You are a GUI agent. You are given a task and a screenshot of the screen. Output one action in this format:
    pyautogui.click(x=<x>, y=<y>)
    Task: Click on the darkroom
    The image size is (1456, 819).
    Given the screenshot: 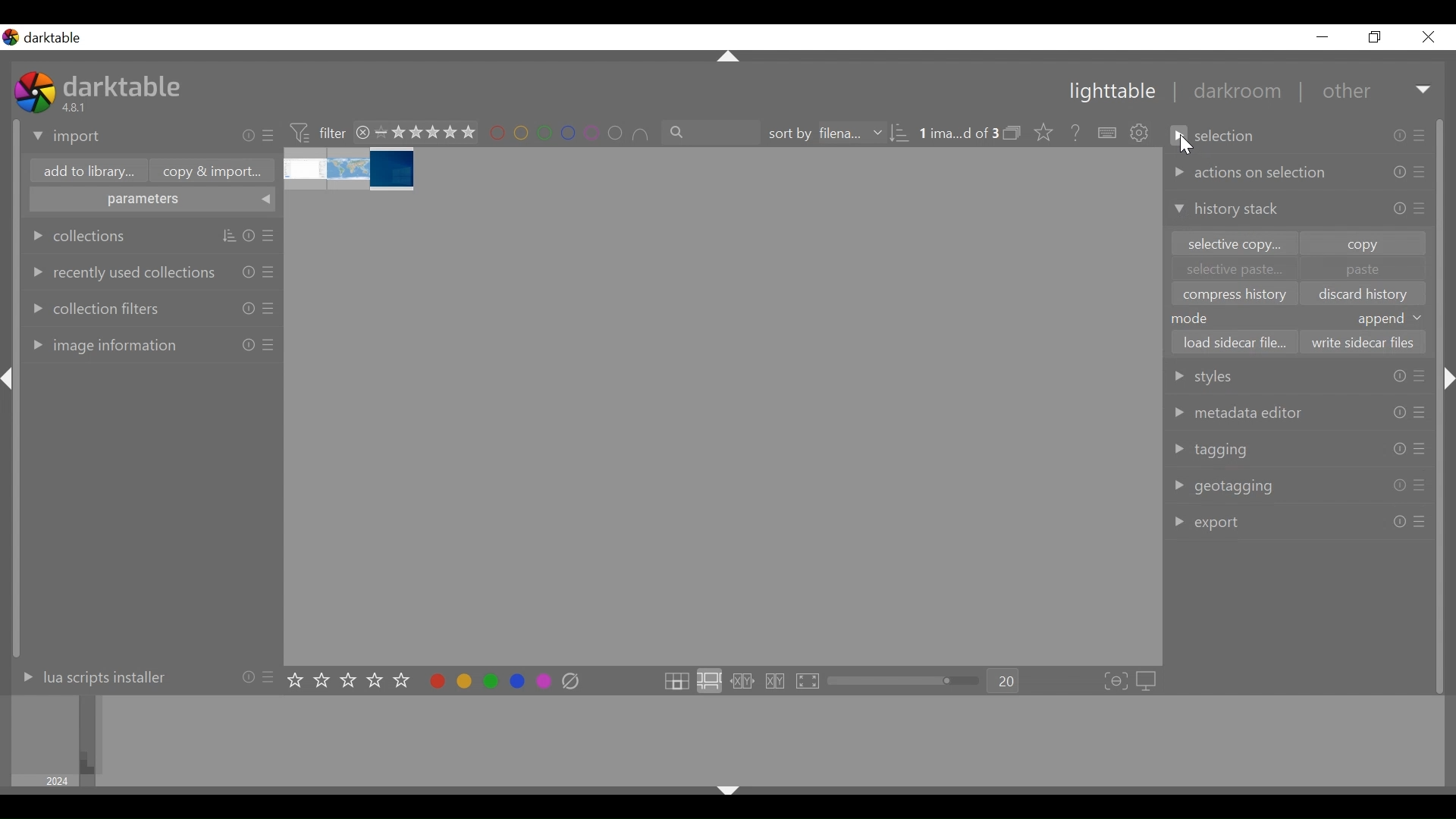 What is the action you would take?
    pyautogui.click(x=1231, y=93)
    